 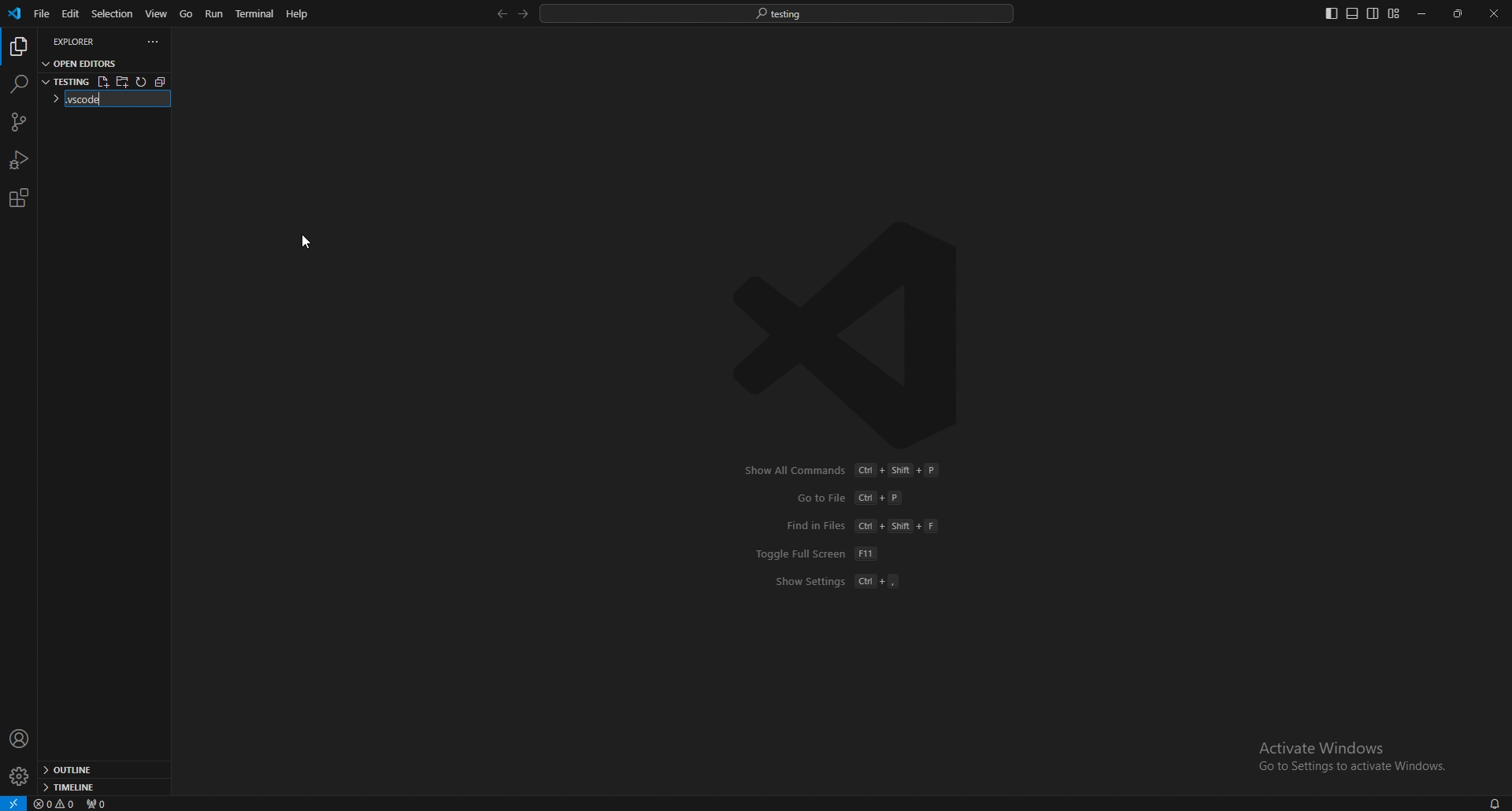 I want to click on refresh, so click(x=143, y=82).